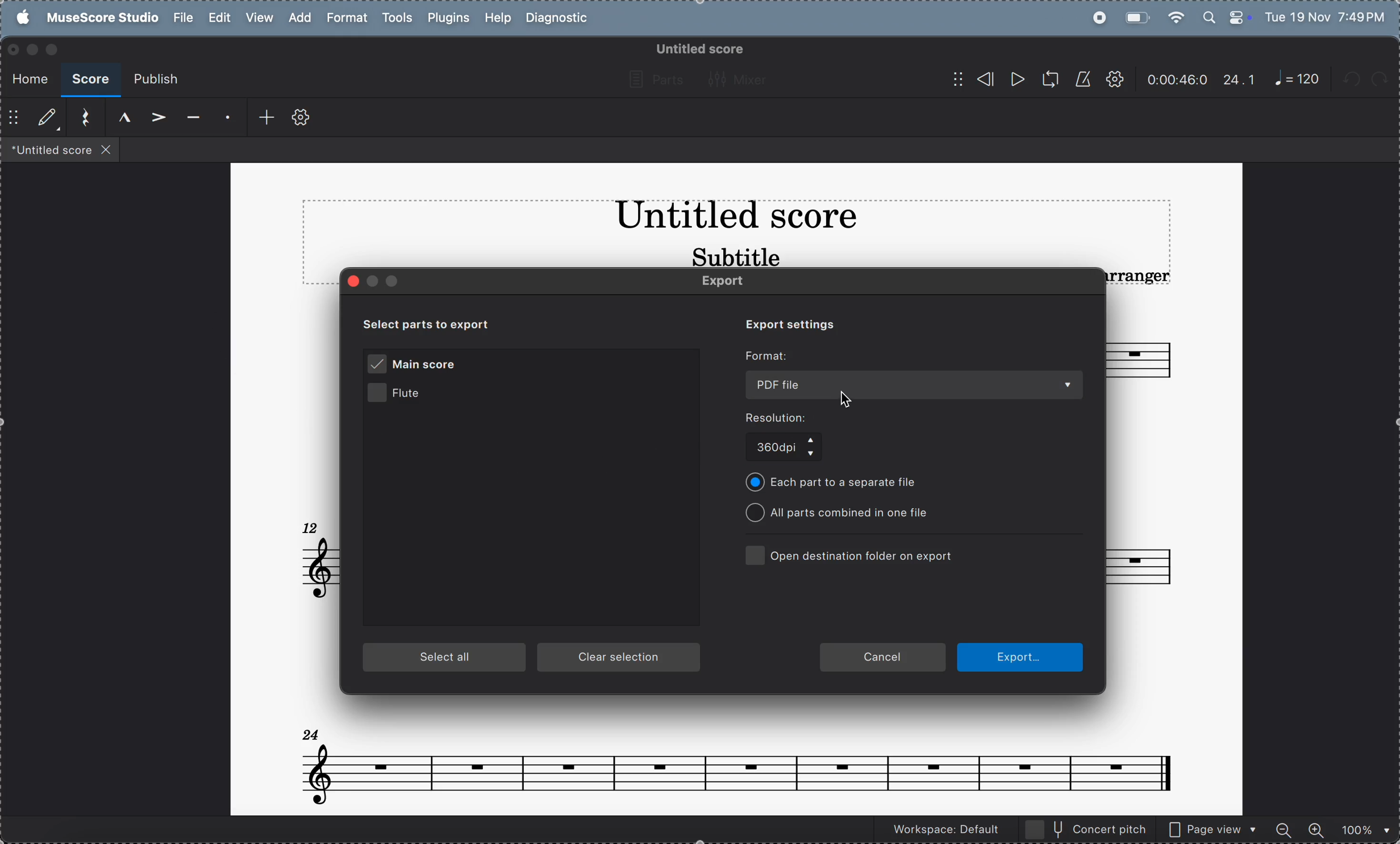 The width and height of the screenshot is (1400, 844). What do you see at coordinates (1096, 18) in the screenshot?
I see `record` at bounding box center [1096, 18].